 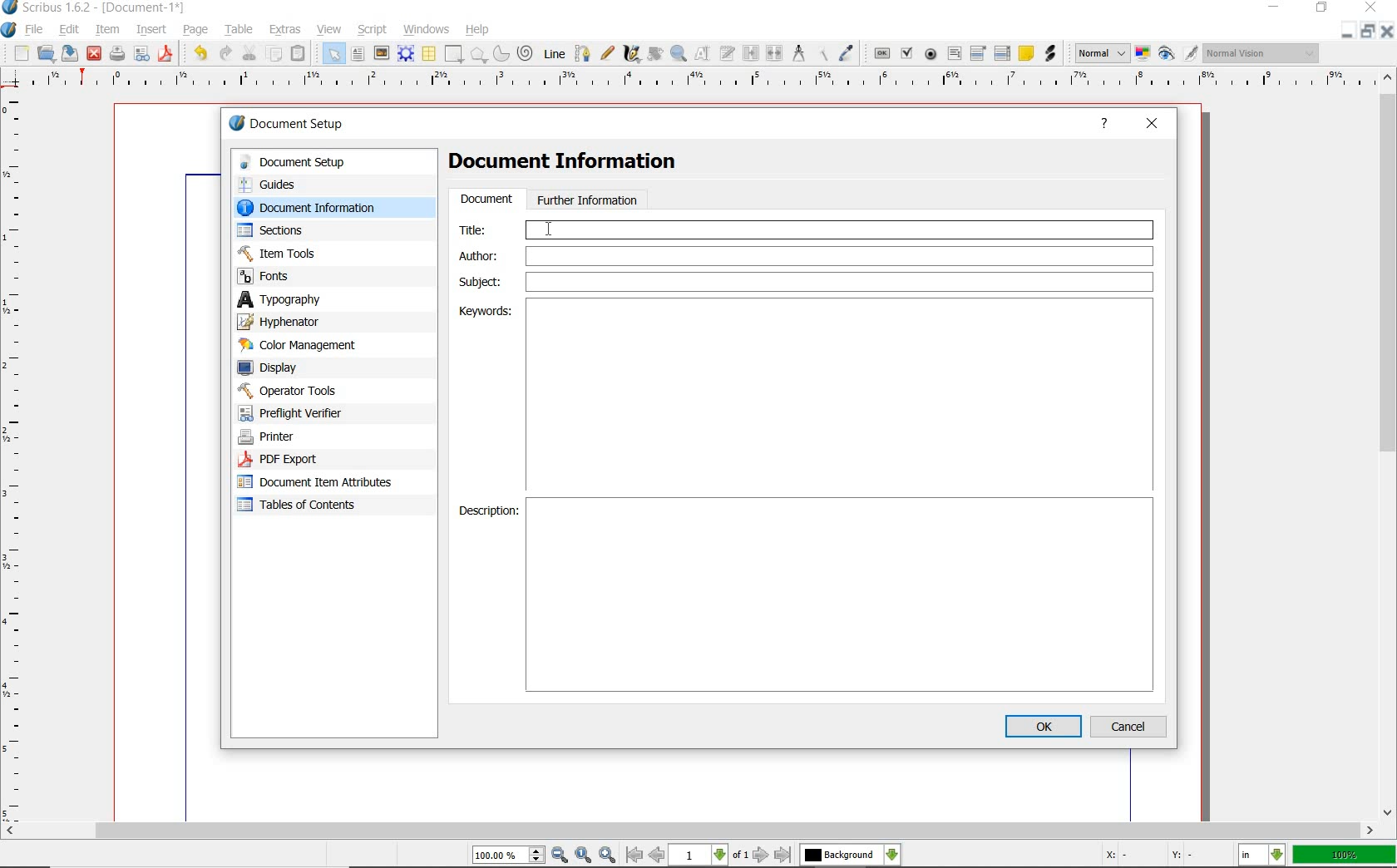 I want to click on calligraphic line, so click(x=632, y=55).